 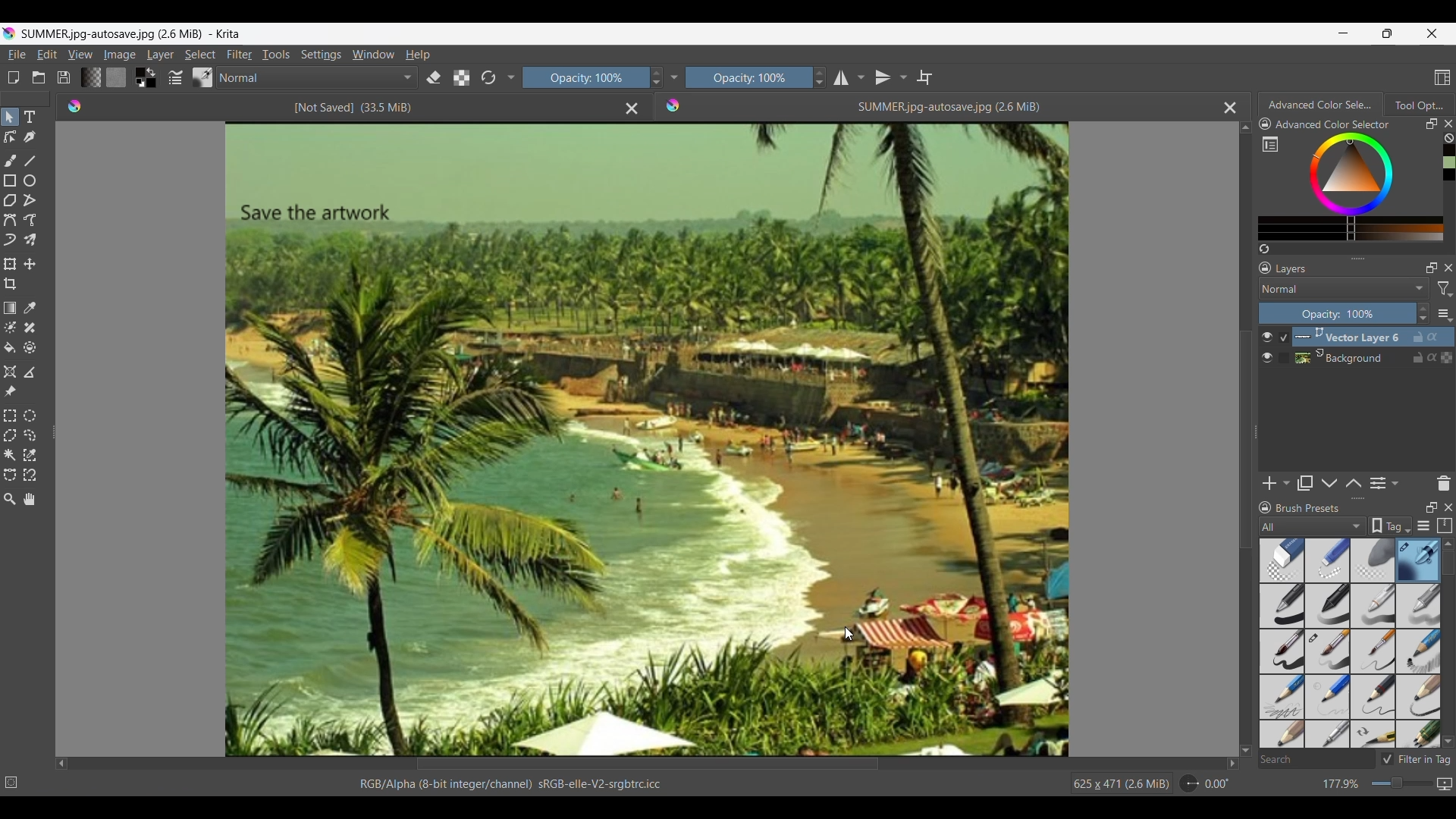 I want to click on Image, so click(x=120, y=55).